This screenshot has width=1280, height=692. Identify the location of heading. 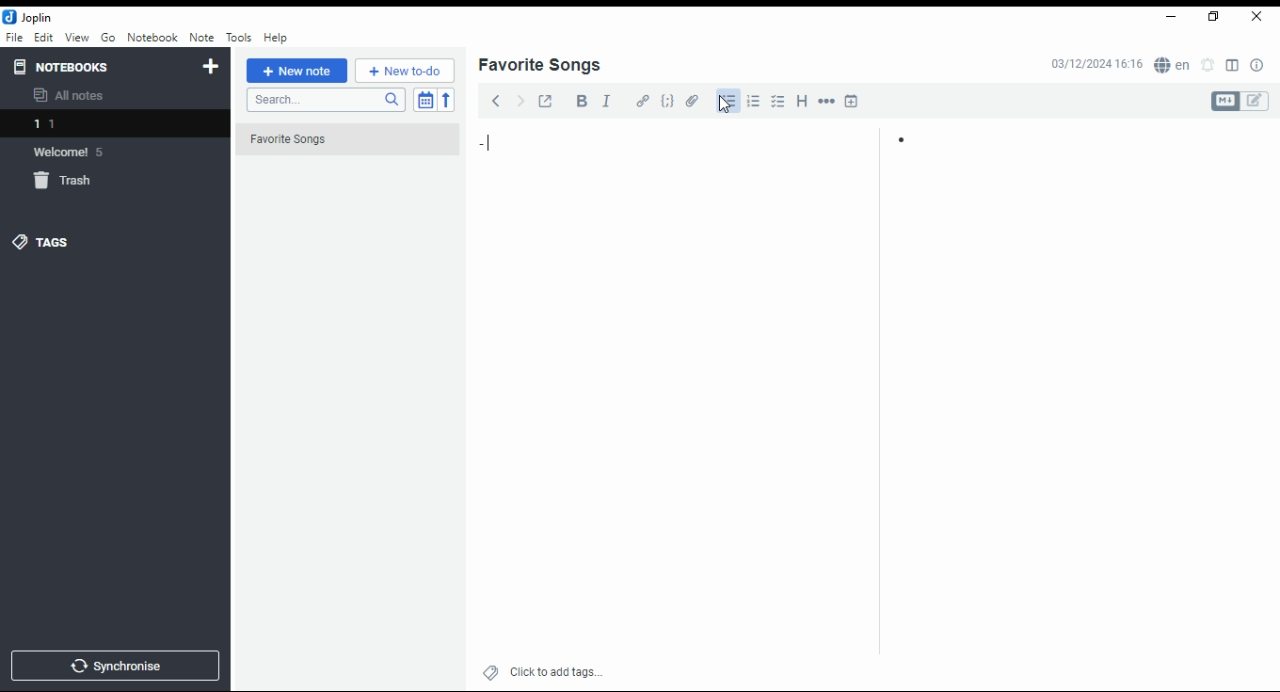
(803, 99).